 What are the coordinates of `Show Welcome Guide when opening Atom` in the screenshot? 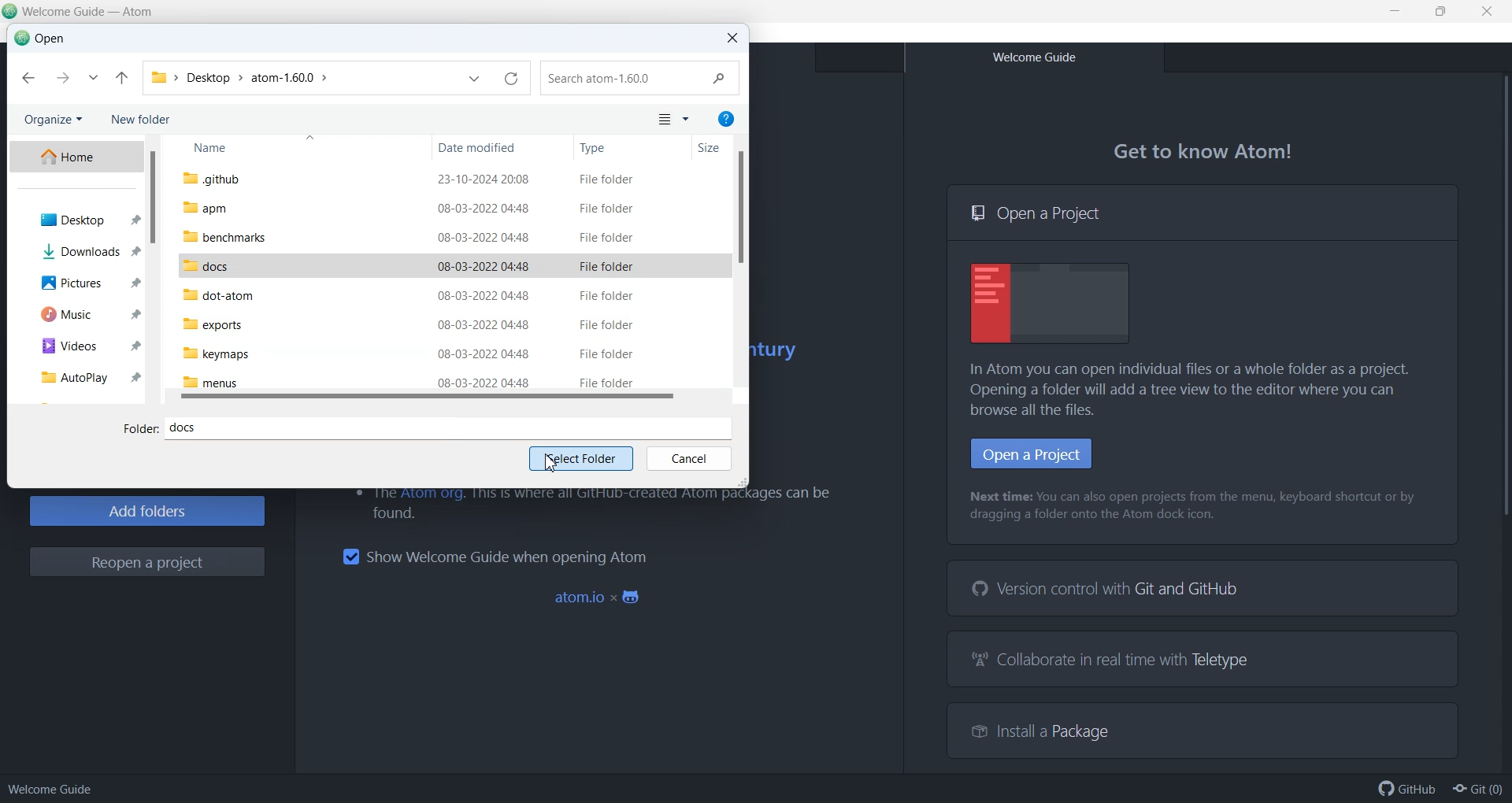 It's located at (494, 557).